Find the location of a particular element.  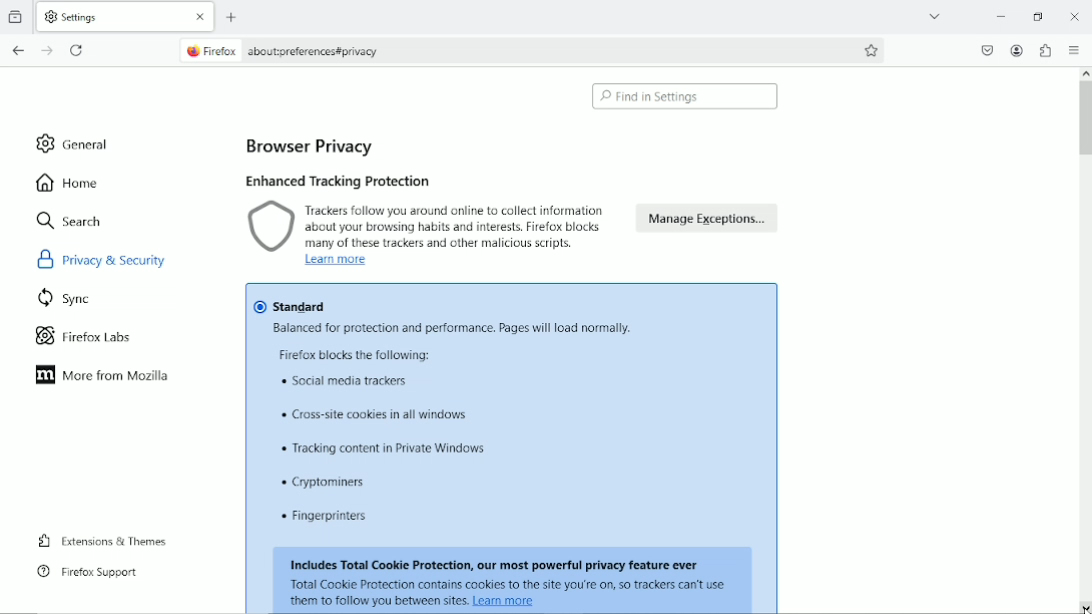

restore down is located at coordinates (1039, 14).